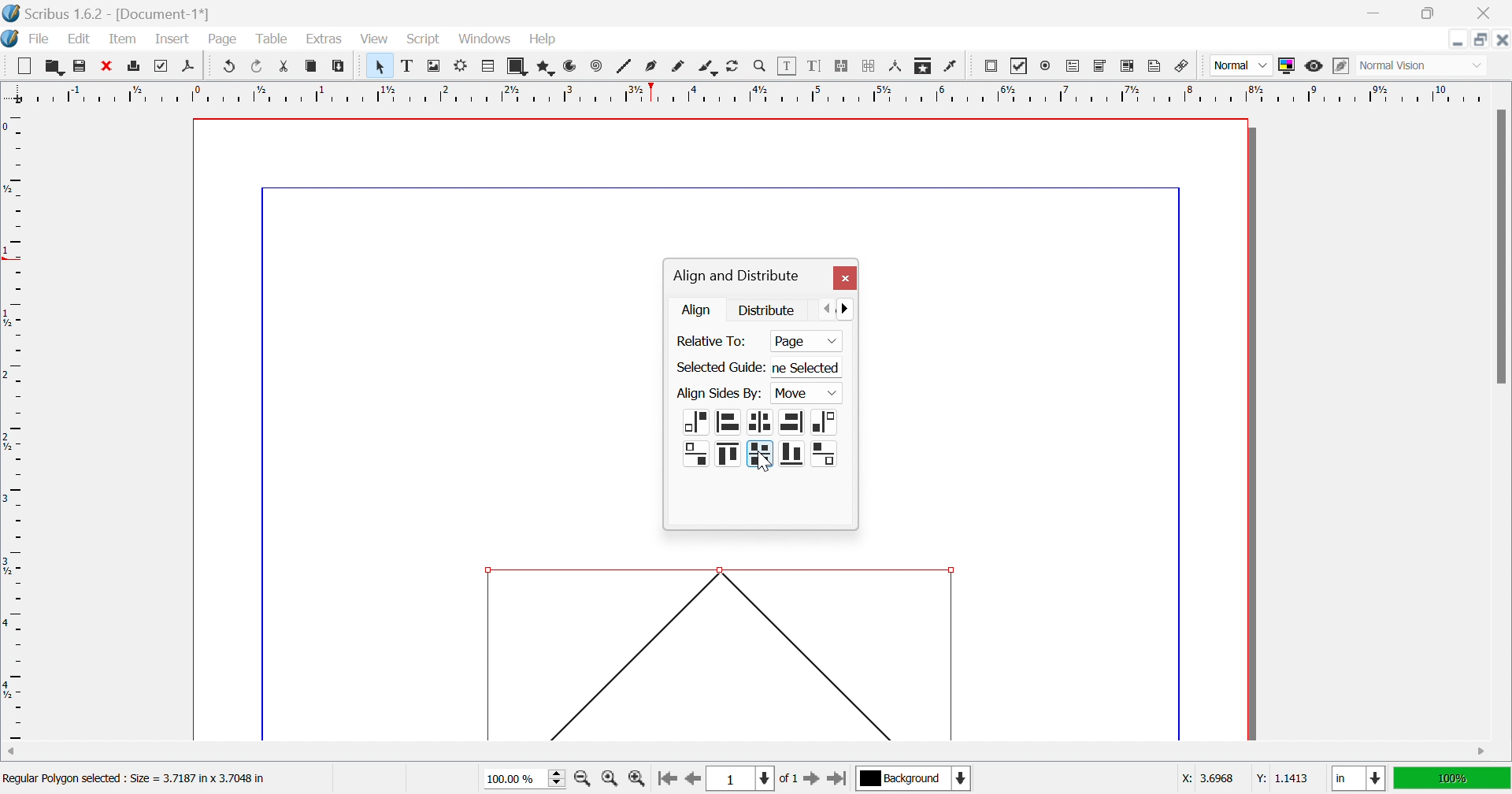 This screenshot has height=794, width=1512. I want to click on Cut, so click(288, 69).